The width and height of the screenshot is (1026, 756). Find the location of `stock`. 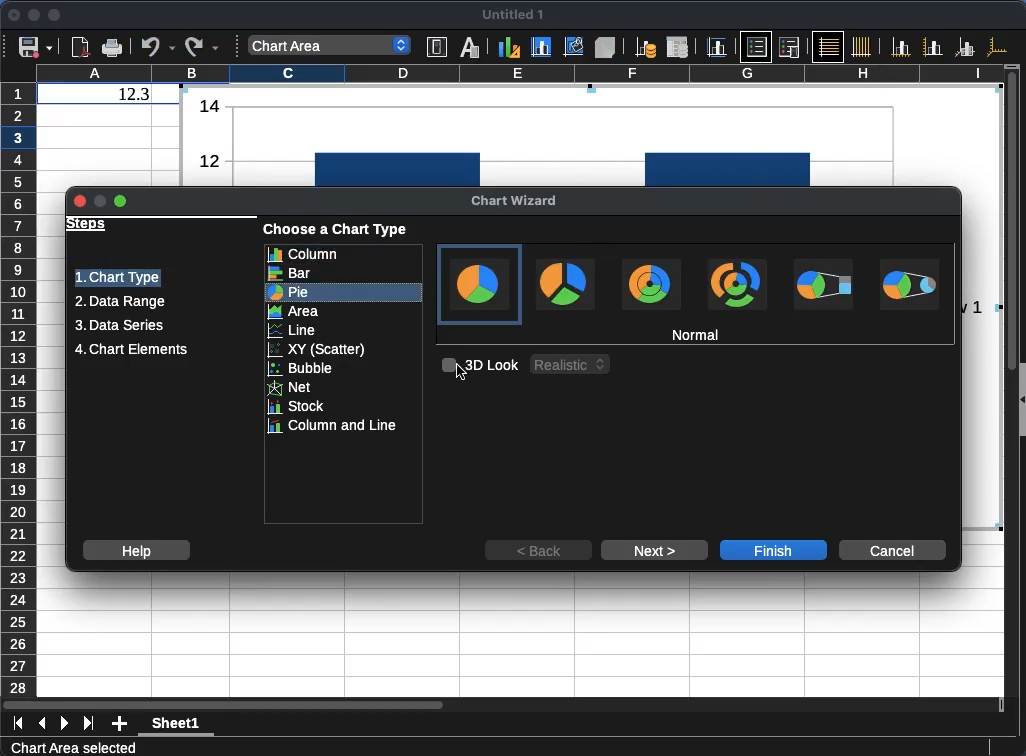

stock is located at coordinates (344, 407).